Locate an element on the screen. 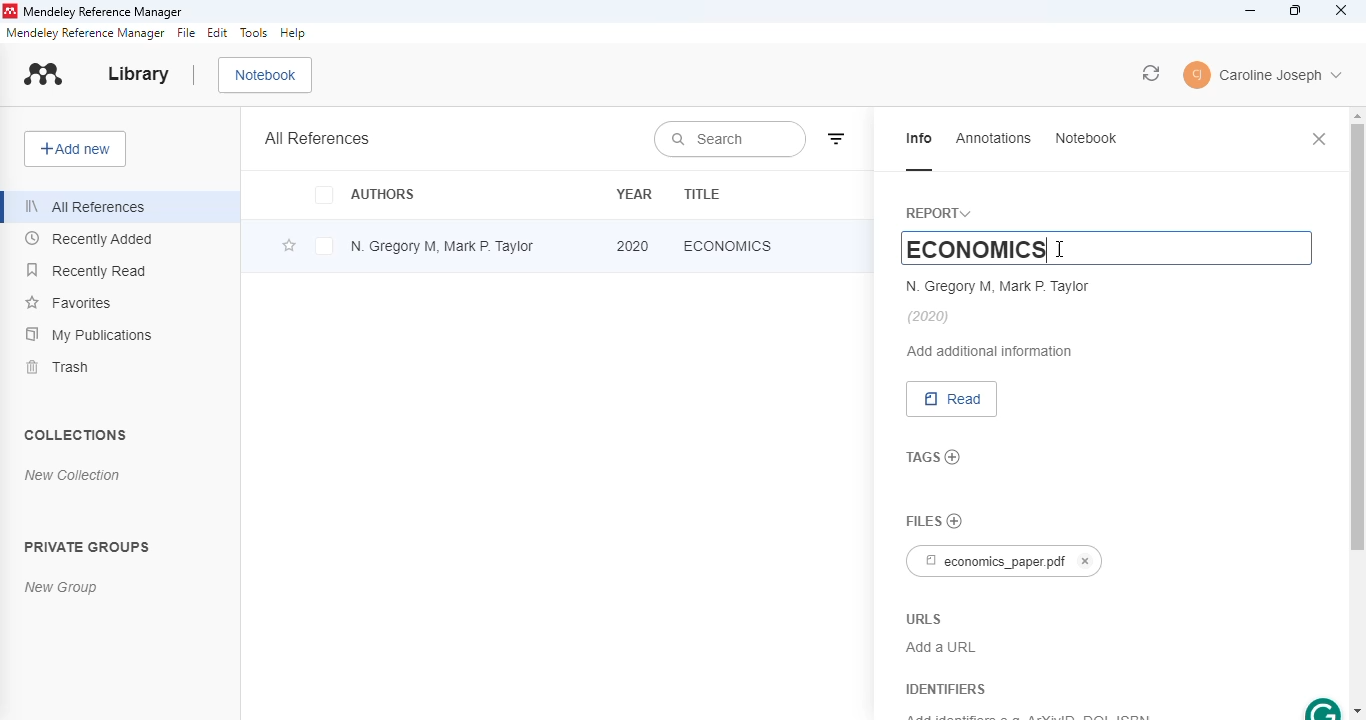 Image resolution: width=1366 pixels, height=720 pixels. info is located at coordinates (920, 140).